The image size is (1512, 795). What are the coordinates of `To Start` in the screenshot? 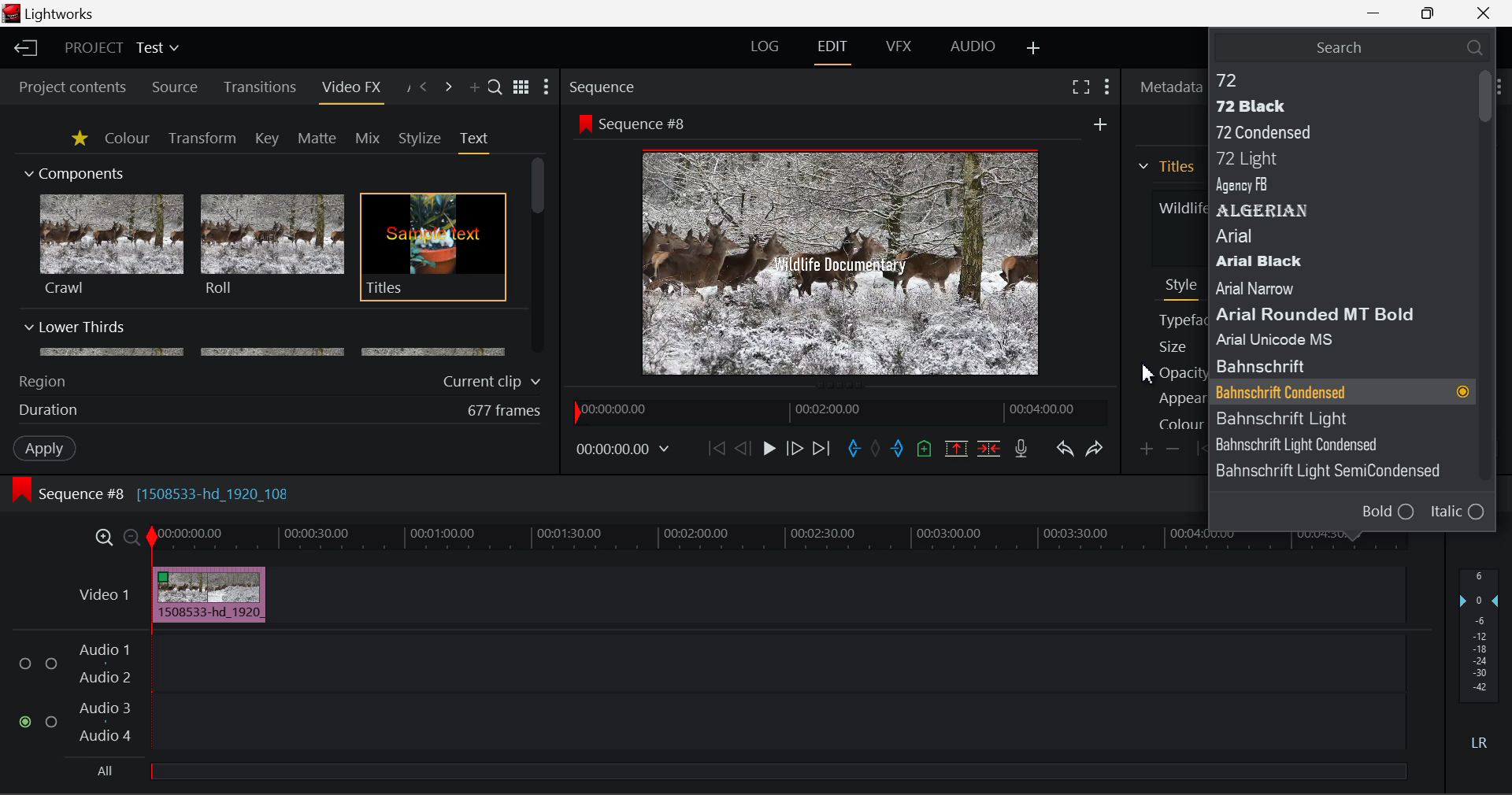 It's located at (717, 449).